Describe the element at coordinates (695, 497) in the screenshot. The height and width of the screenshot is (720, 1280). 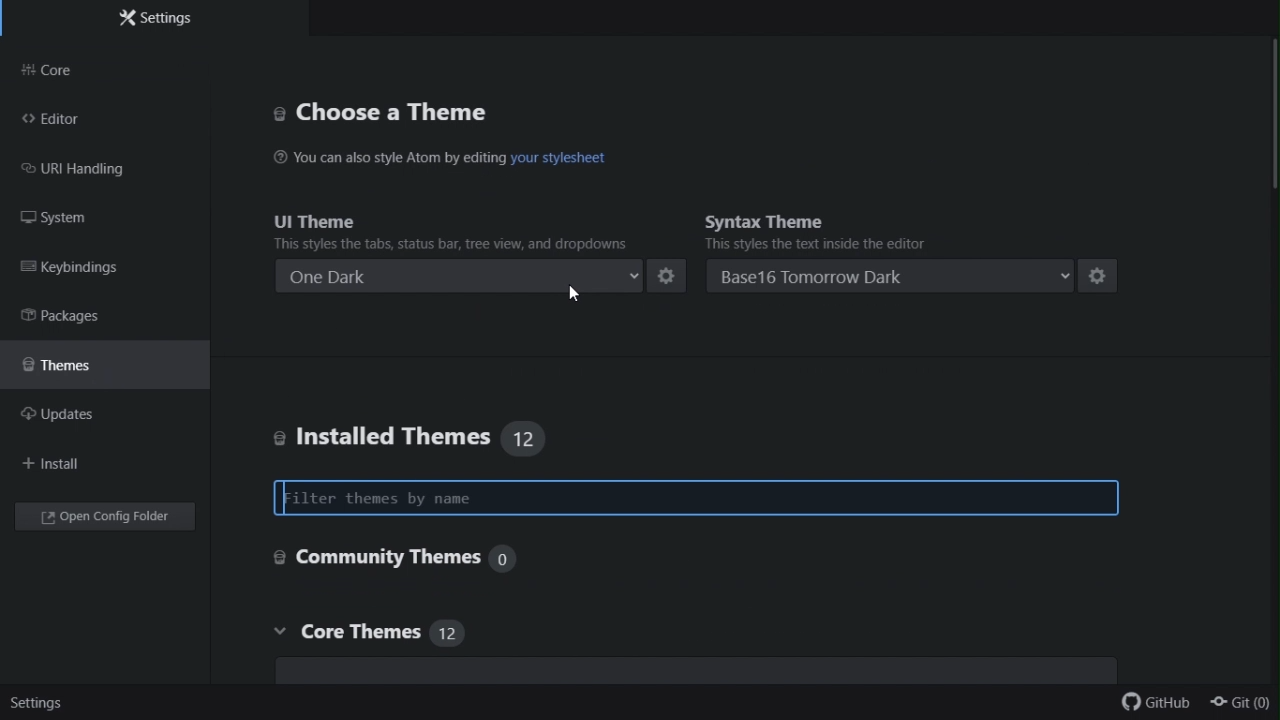
I see `Filter themes by name` at that location.